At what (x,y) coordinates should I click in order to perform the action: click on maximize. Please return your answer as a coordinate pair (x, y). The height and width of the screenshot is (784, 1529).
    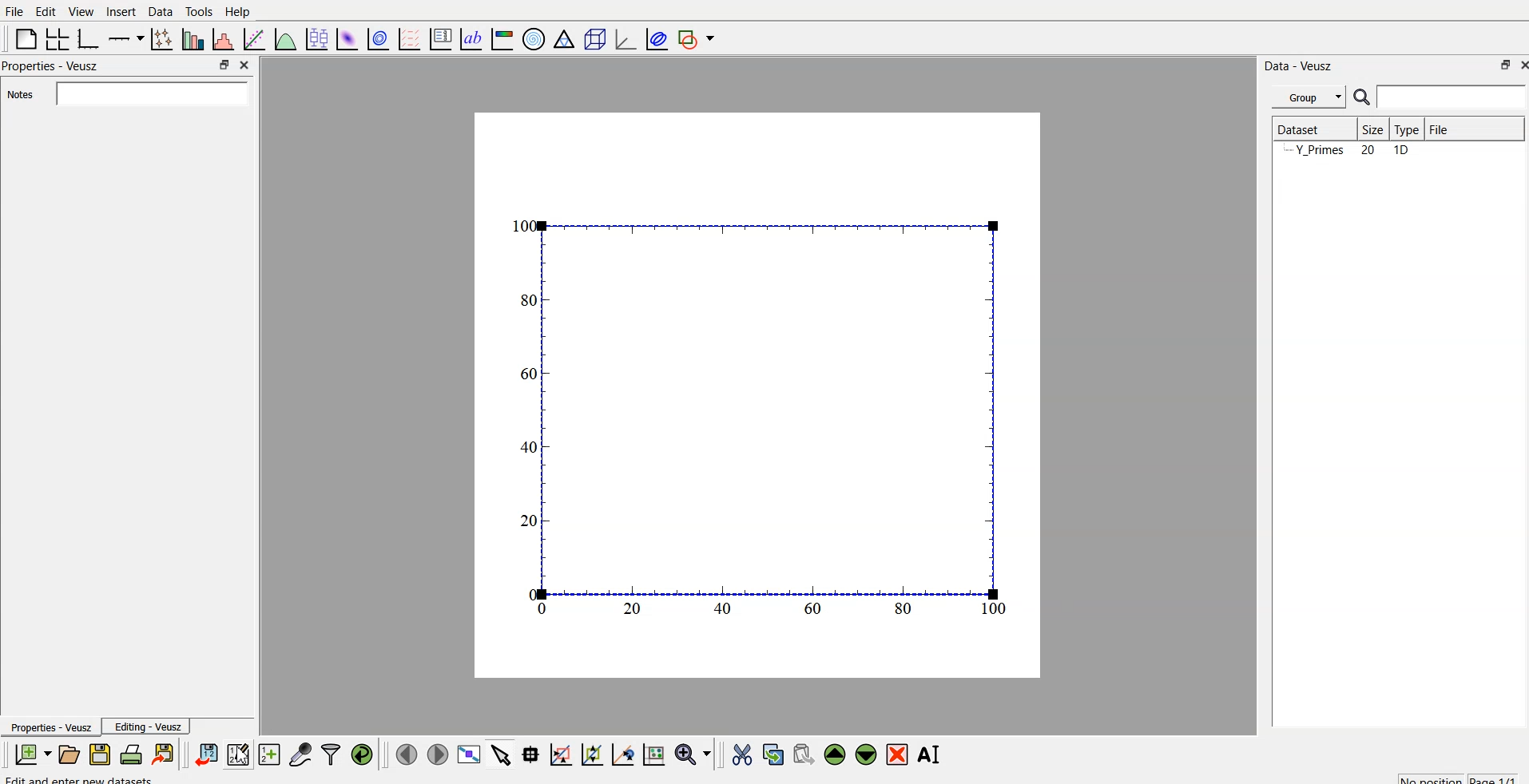
    Looking at the image, I should click on (1499, 65).